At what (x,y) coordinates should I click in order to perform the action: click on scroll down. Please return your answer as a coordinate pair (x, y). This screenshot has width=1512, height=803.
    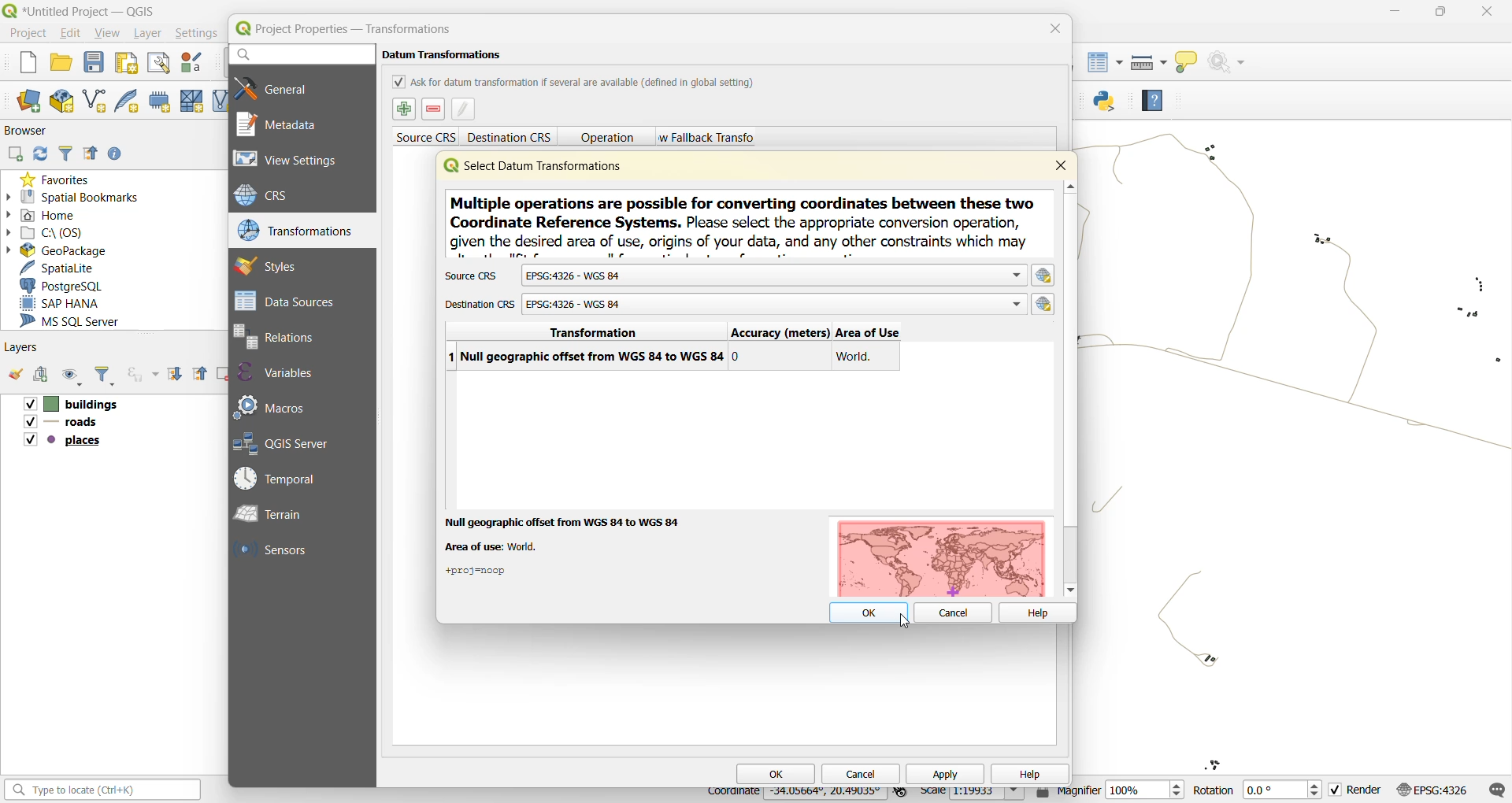
    Looking at the image, I should click on (1071, 590).